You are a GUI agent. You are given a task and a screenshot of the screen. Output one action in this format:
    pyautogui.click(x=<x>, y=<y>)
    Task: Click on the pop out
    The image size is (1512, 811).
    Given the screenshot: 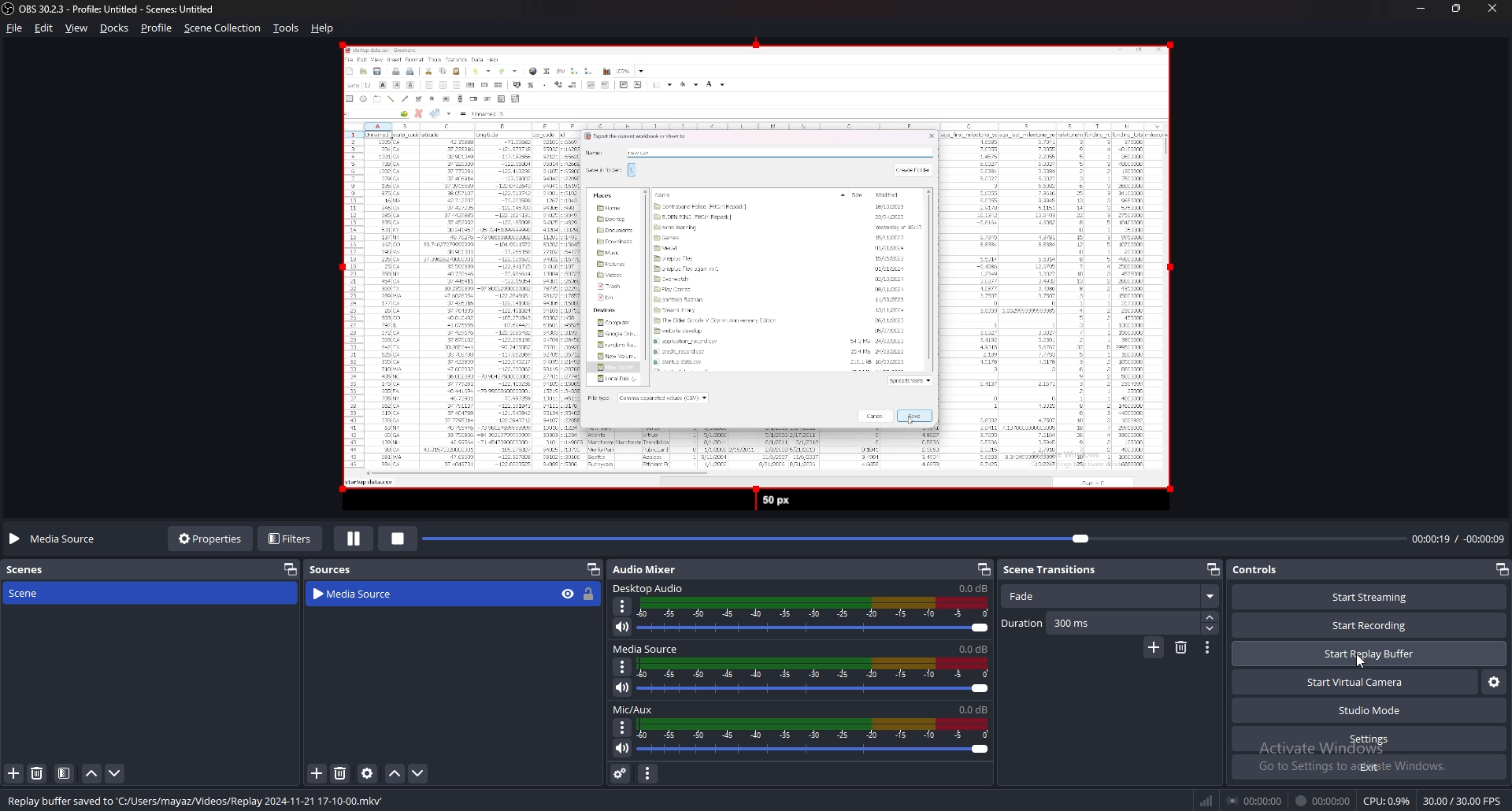 What is the action you would take?
    pyautogui.click(x=593, y=569)
    